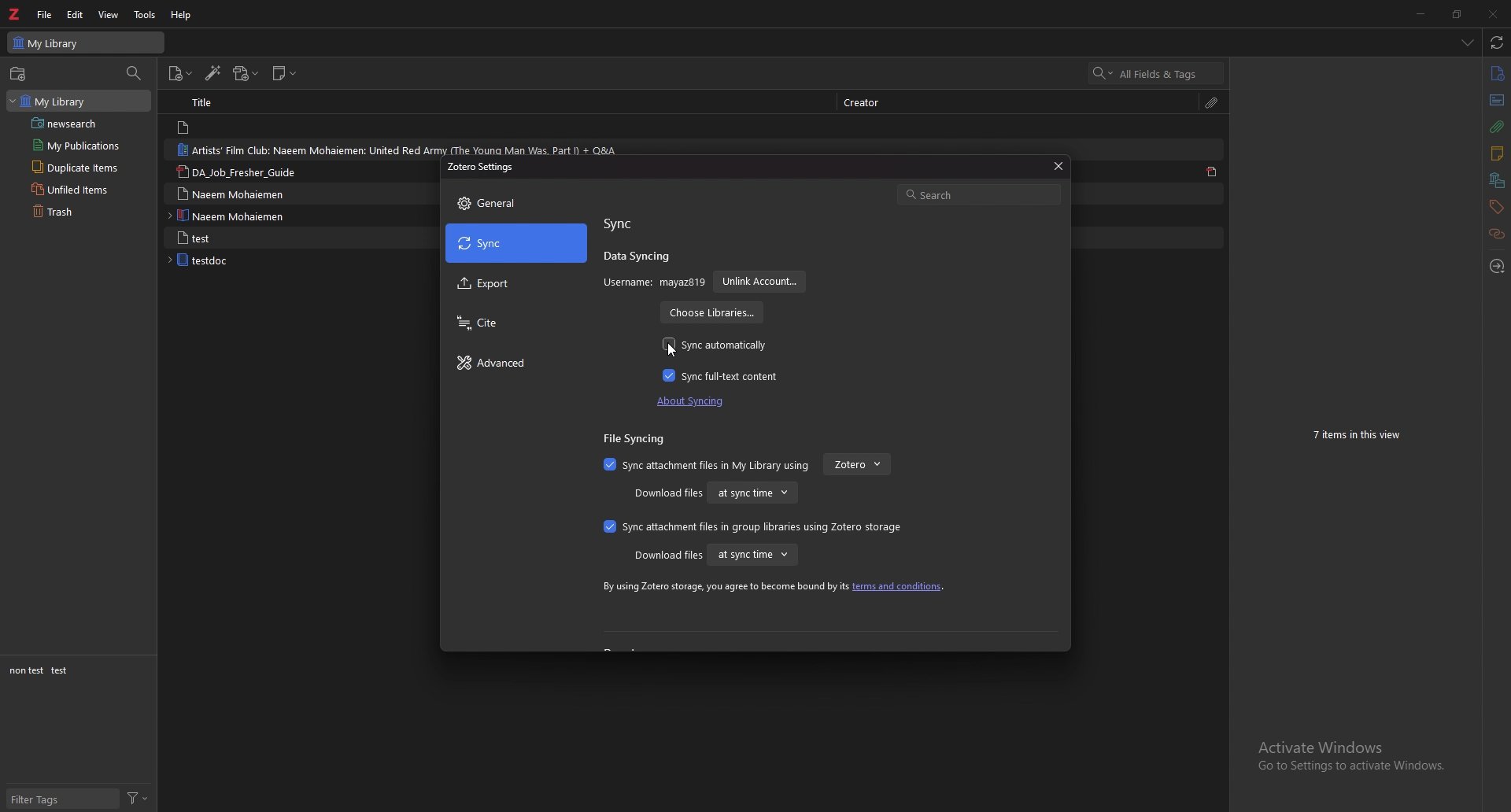 The height and width of the screenshot is (812, 1511). Describe the element at coordinates (1498, 264) in the screenshot. I see `locate` at that location.